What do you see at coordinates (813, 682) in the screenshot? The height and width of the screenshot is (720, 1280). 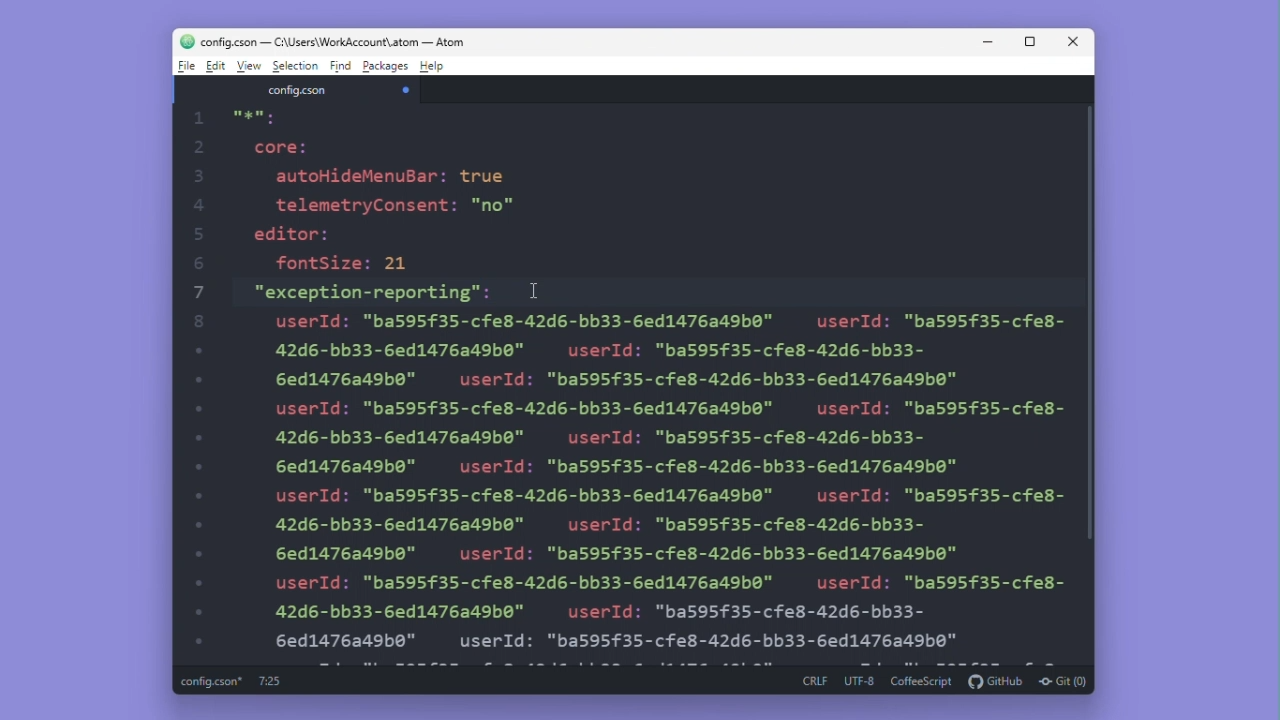 I see `crlf` at bounding box center [813, 682].